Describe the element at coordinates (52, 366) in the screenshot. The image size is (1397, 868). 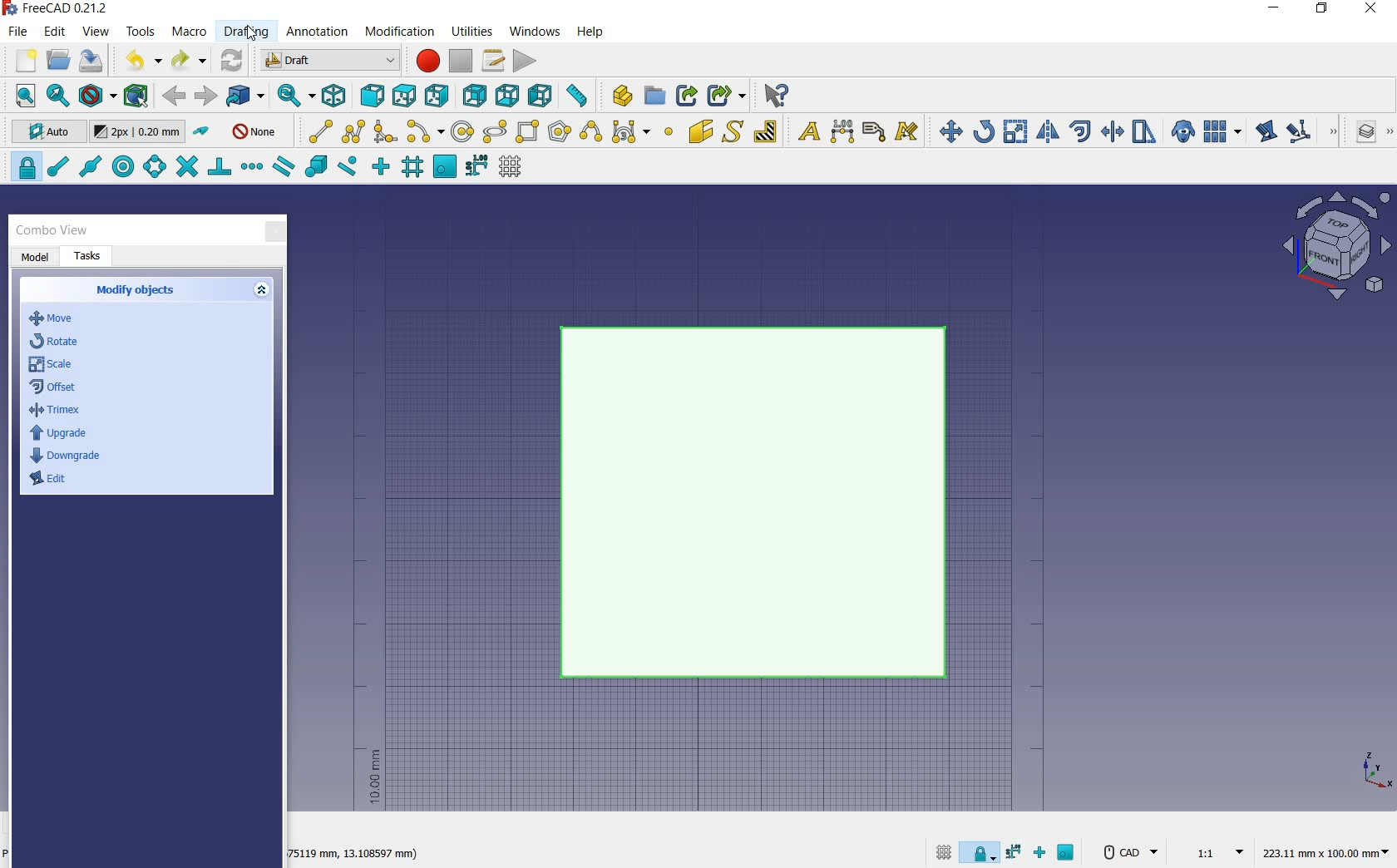
I see `scale` at that location.